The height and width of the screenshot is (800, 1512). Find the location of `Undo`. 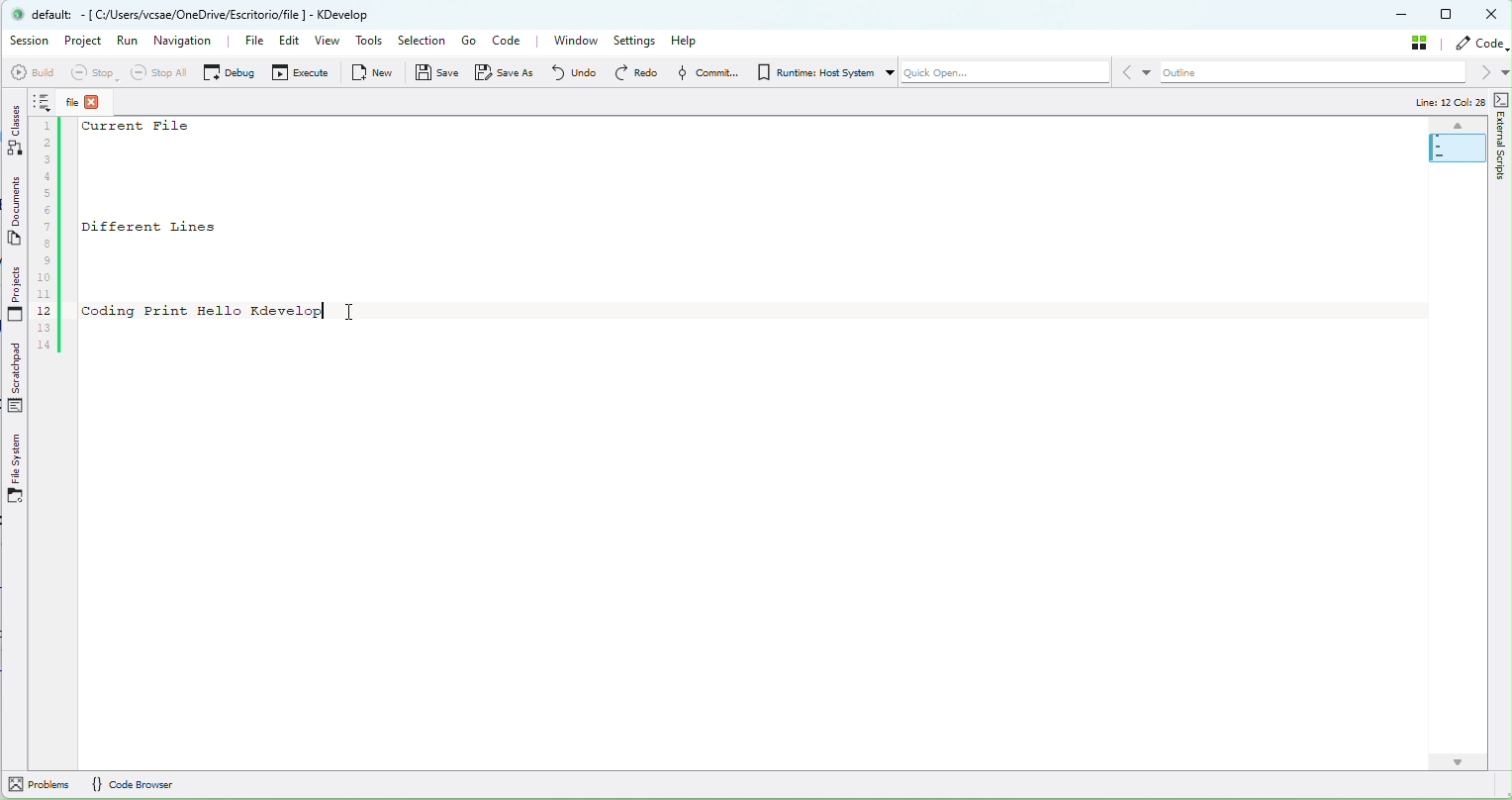

Undo is located at coordinates (573, 71).